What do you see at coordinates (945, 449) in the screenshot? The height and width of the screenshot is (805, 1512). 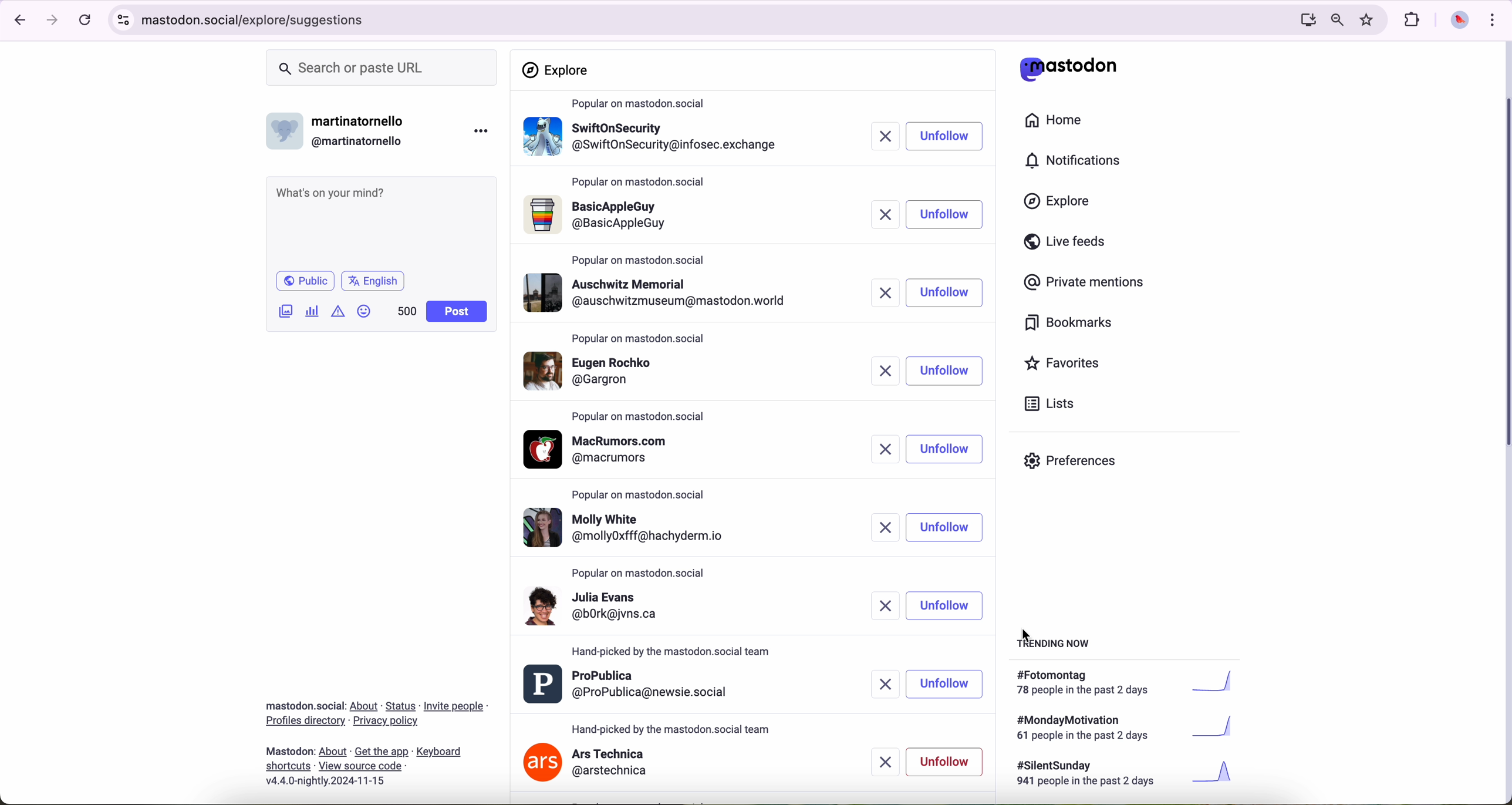 I see `unfollow` at bounding box center [945, 449].